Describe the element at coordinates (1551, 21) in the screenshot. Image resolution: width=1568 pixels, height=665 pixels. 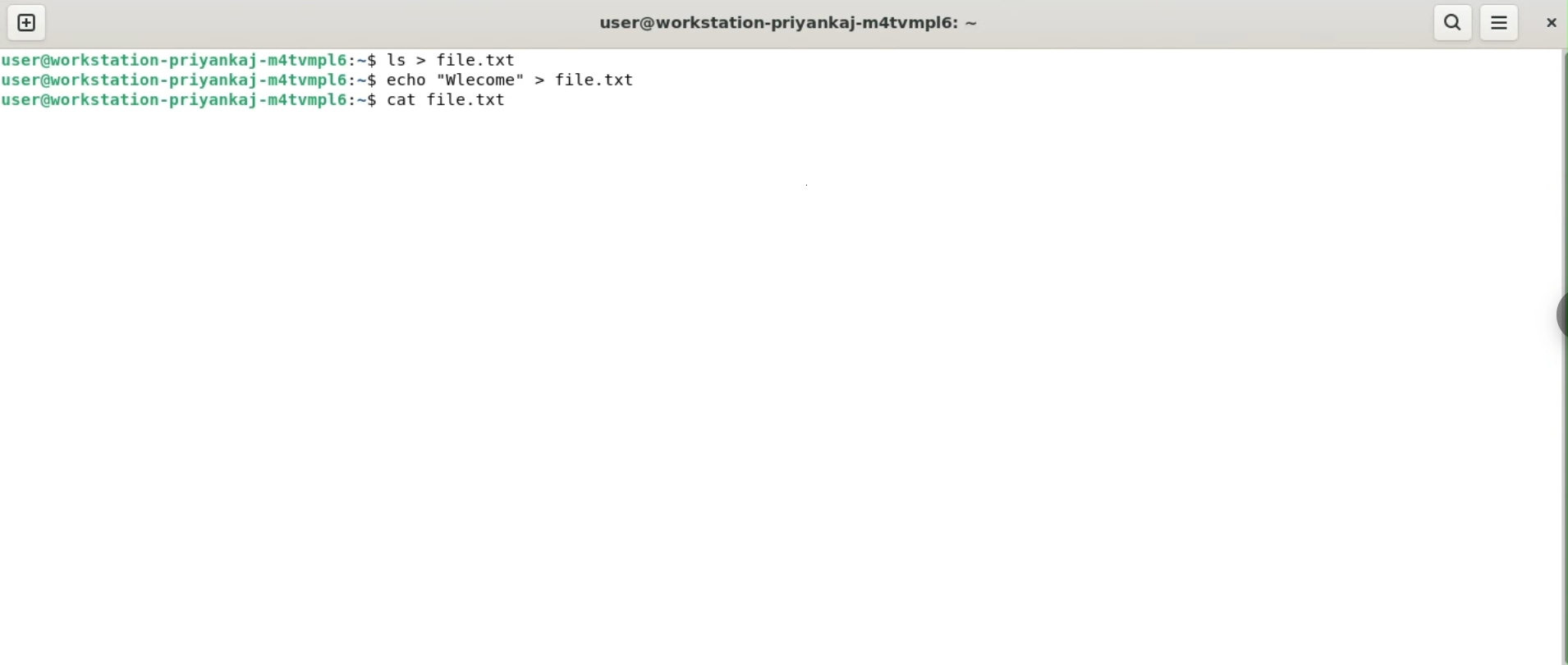
I see `close` at that location.